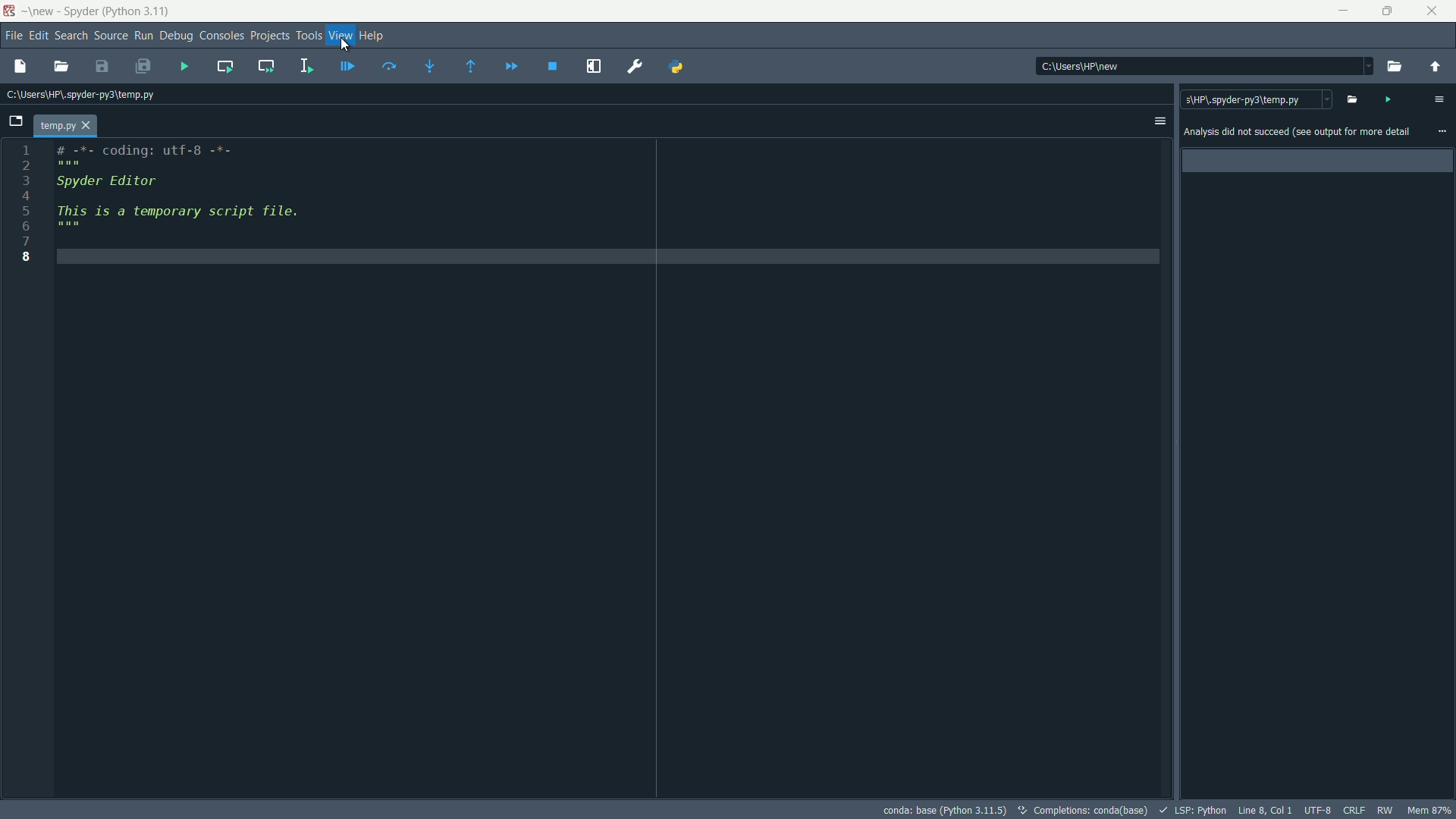 Image resolution: width=1456 pixels, height=819 pixels. Describe the element at coordinates (472, 67) in the screenshot. I see `continue execution until next function` at that location.